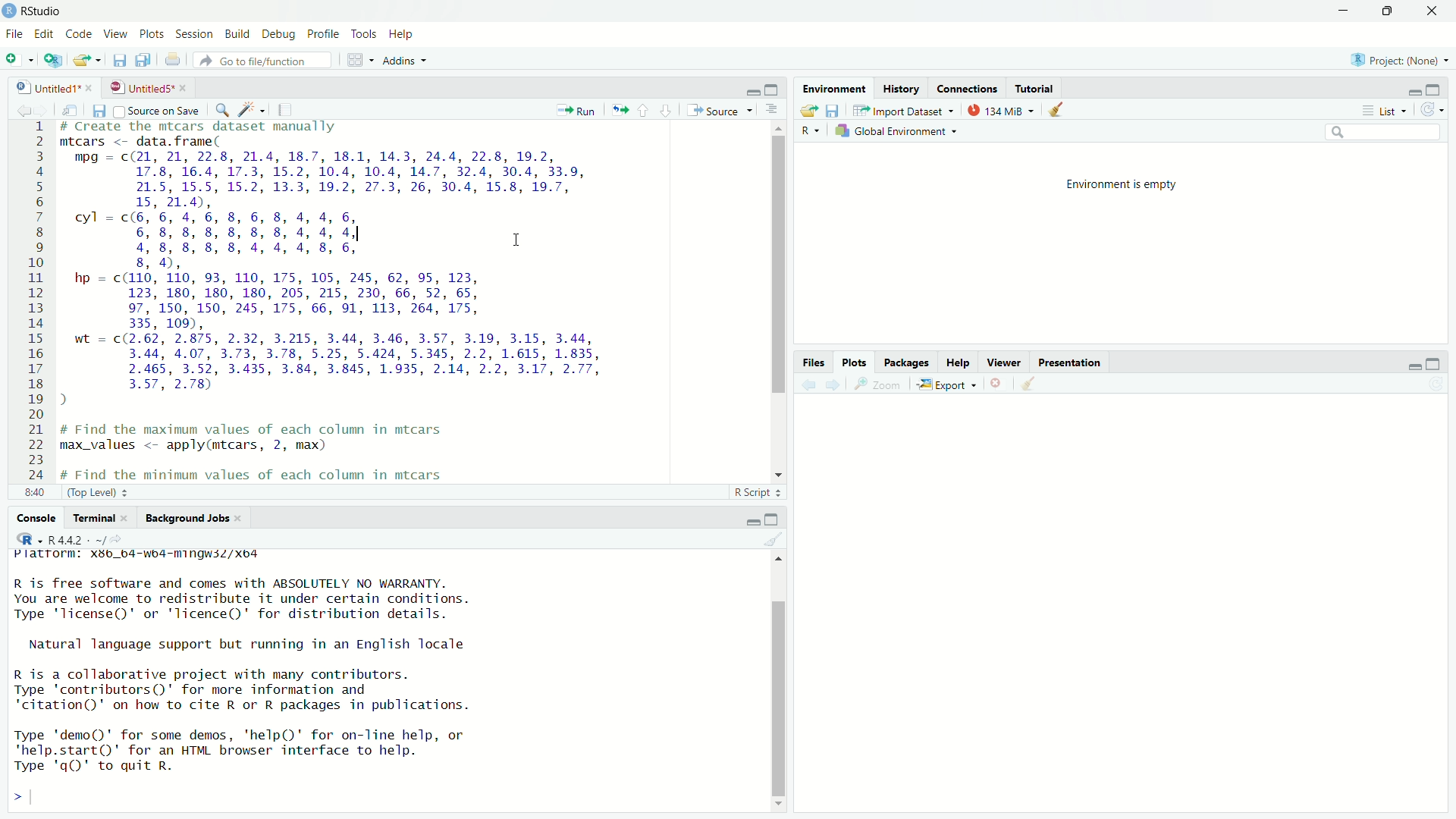 The height and width of the screenshot is (819, 1456). Describe the element at coordinates (718, 110) in the screenshot. I see `+ Source ~` at that location.